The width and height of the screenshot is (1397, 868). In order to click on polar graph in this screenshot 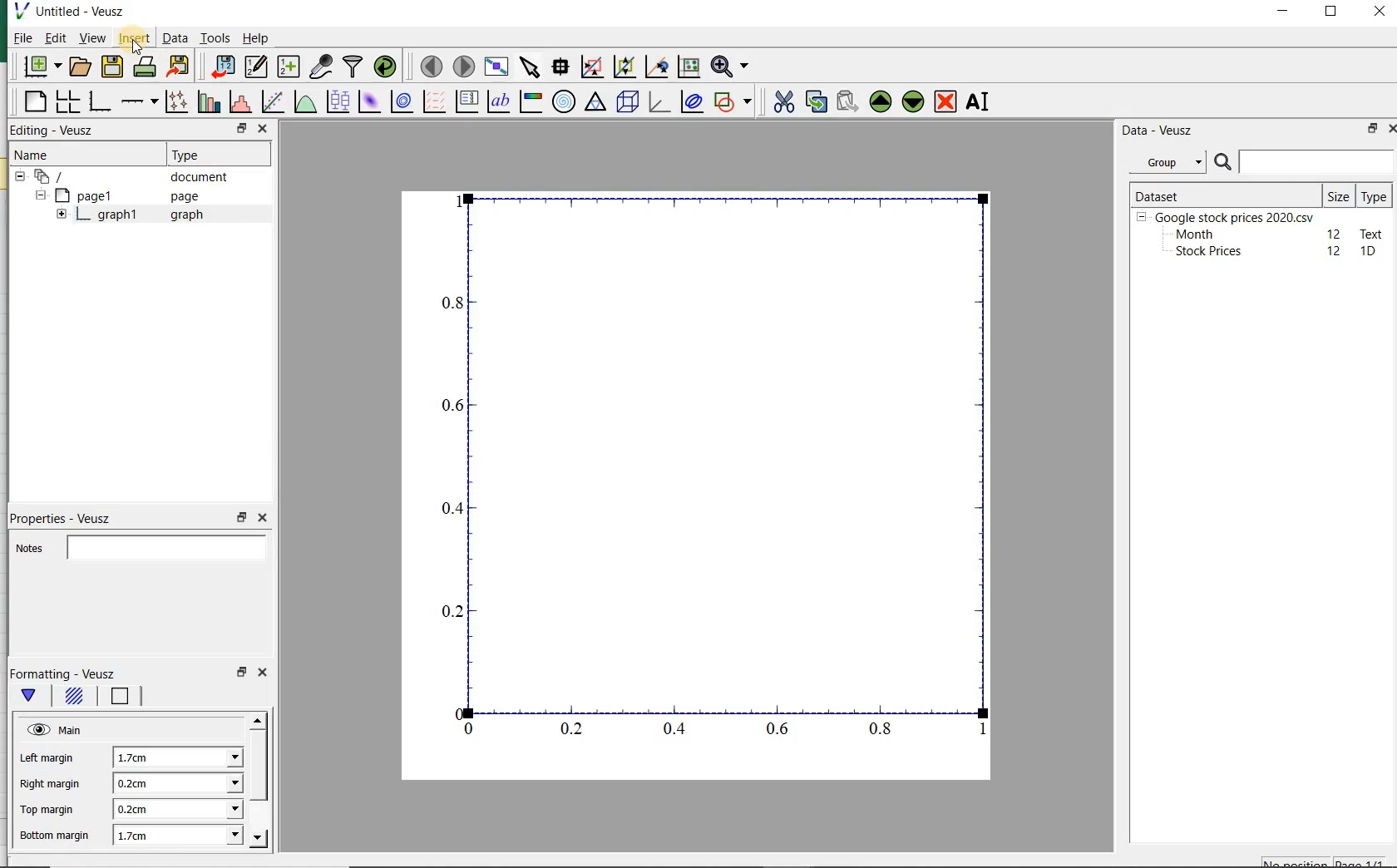, I will do `click(563, 101)`.